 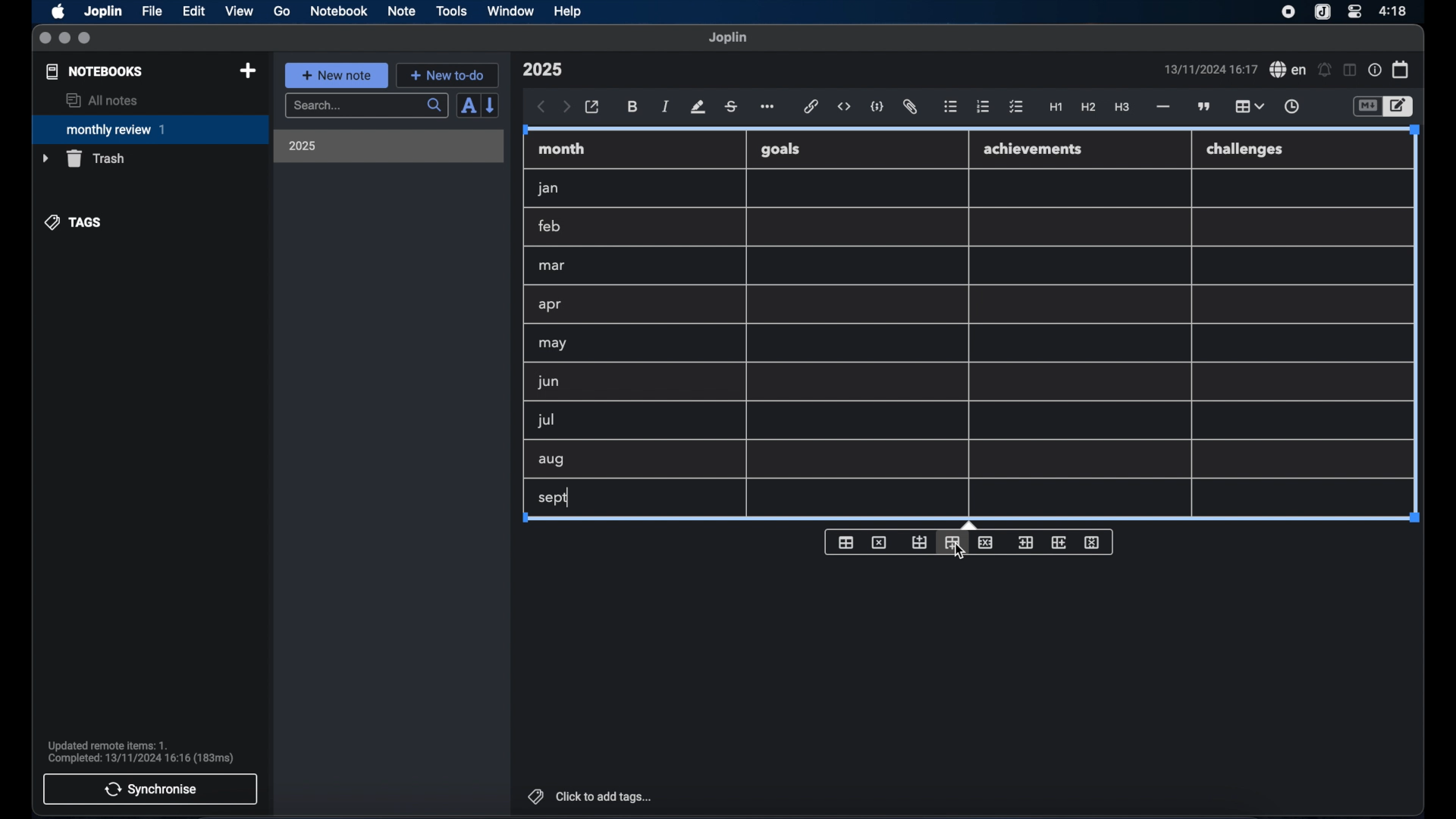 What do you see at coordinates (451, 11) in the screenshot?
I see `tools` at bounding box center [451, 11].